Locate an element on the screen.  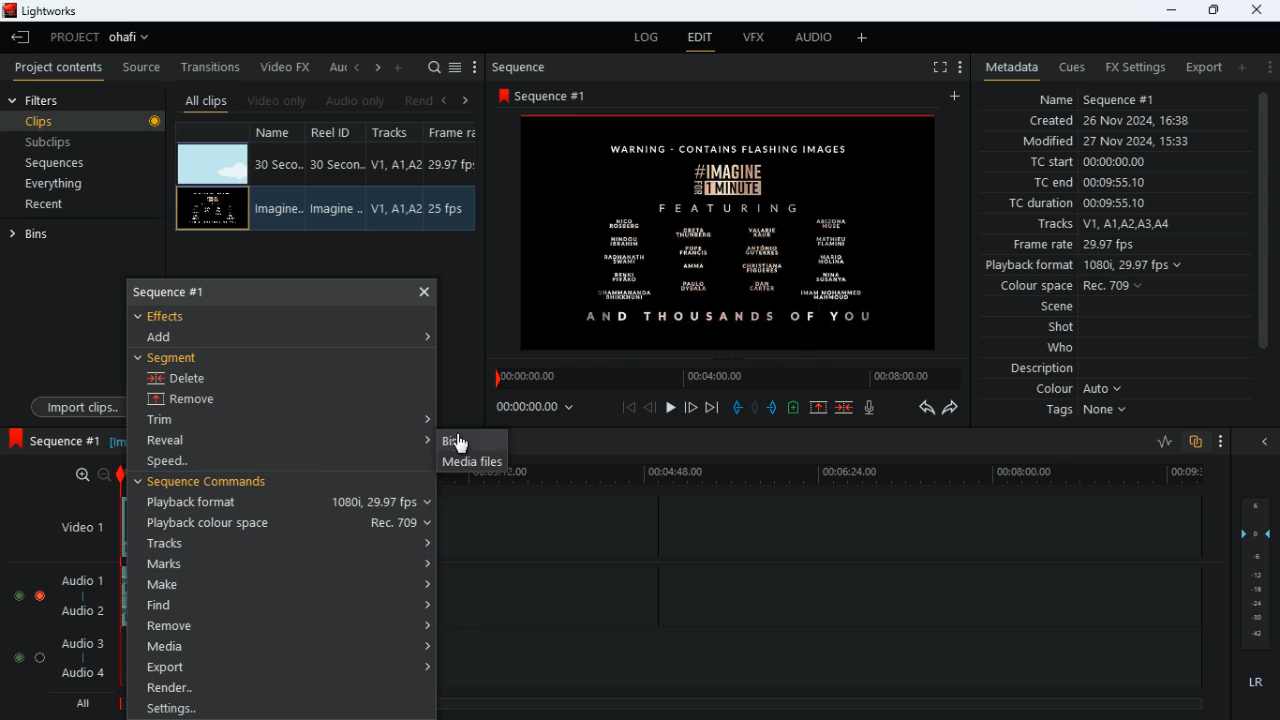
Track is located at coordinates (398, 164).